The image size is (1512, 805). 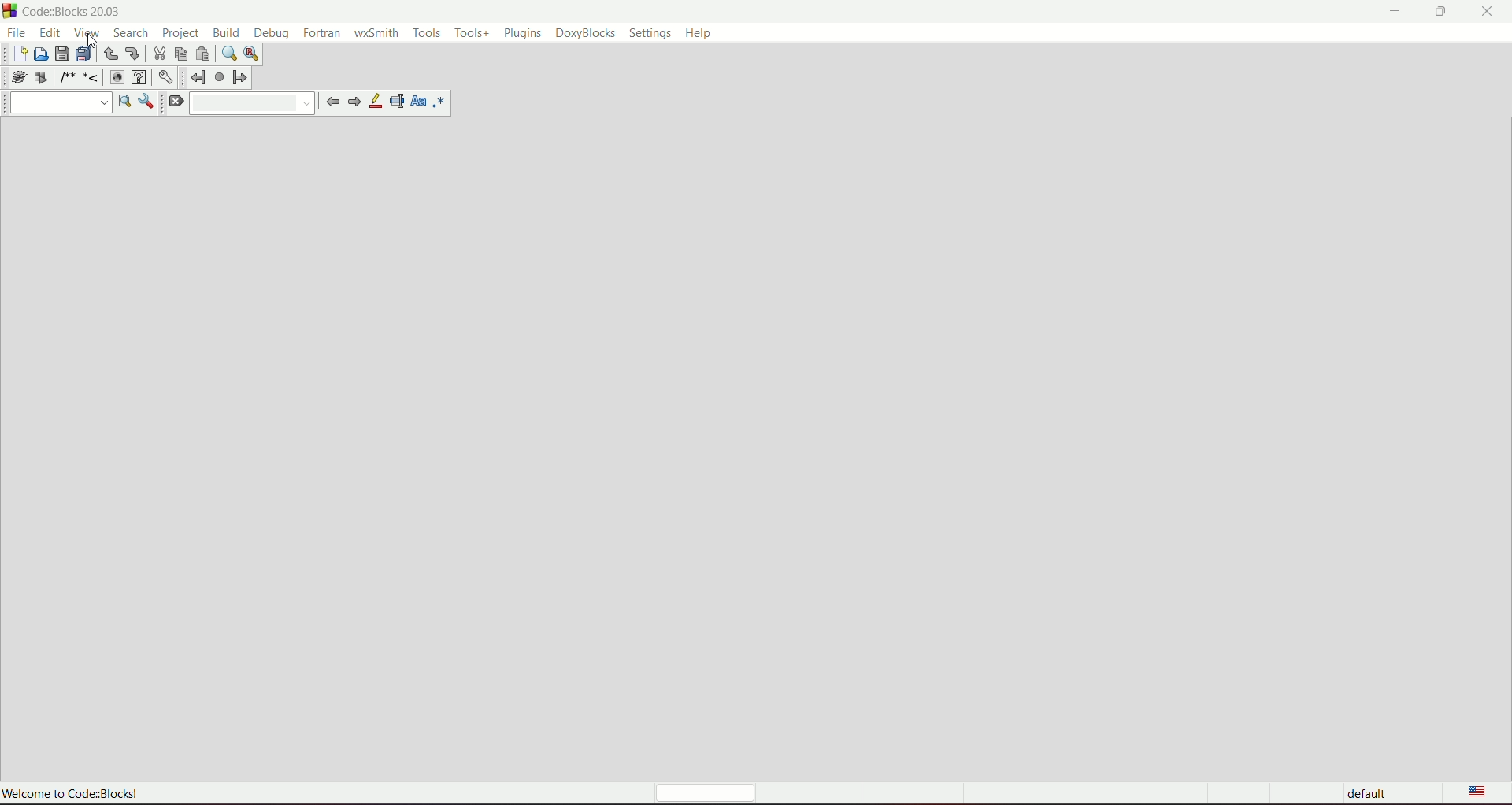 What do you see at coordinates (1488, 12) in the screenshot?
I see `close` at bounding box center [1488, 12].